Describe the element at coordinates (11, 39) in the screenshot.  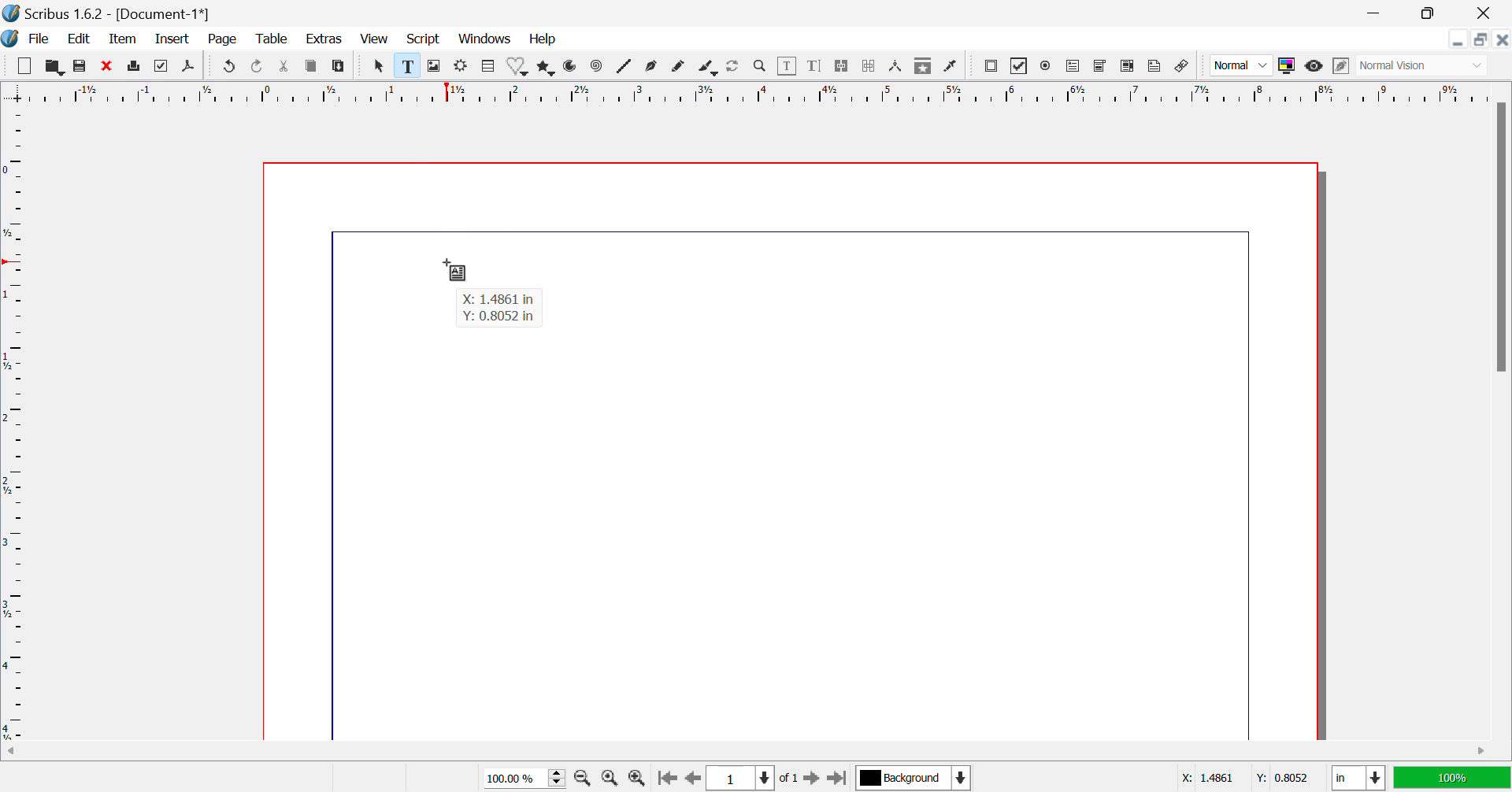
I see `Scribus Logo` at that location.